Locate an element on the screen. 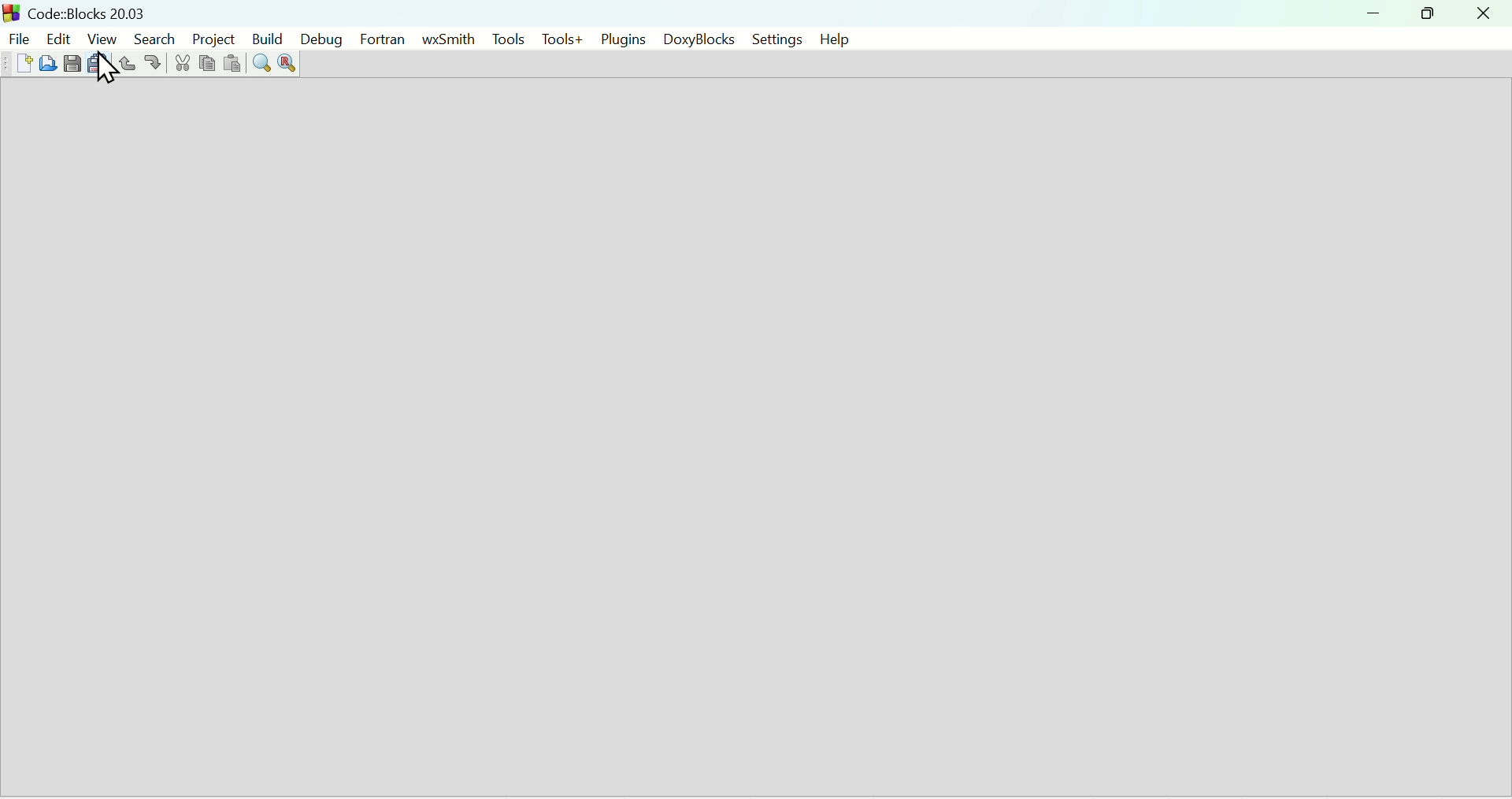 The image size is (1512, 799). minimize is located at coordinates (1373, 13).